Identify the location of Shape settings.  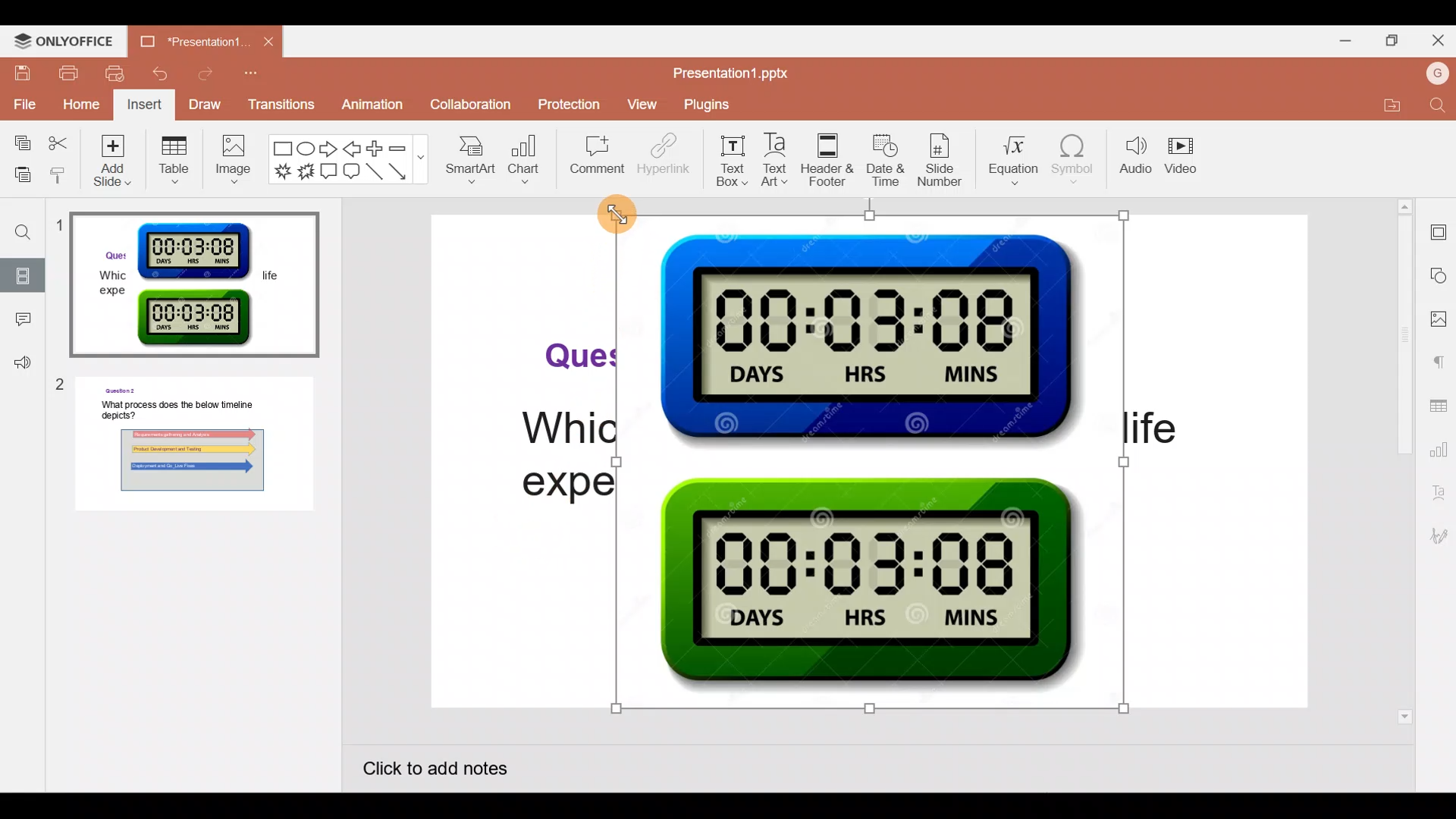
(1439, 275).